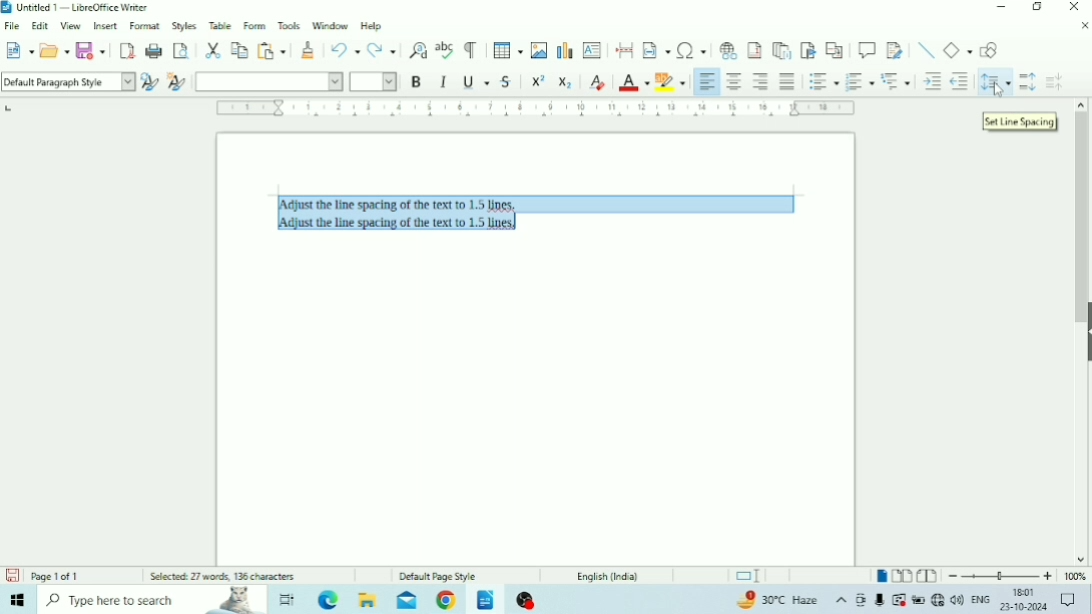  What do you see at coordinates (1020, 122) in the screenshot?
I see `Set Line Spacing` at bounding box center [1020, 122].